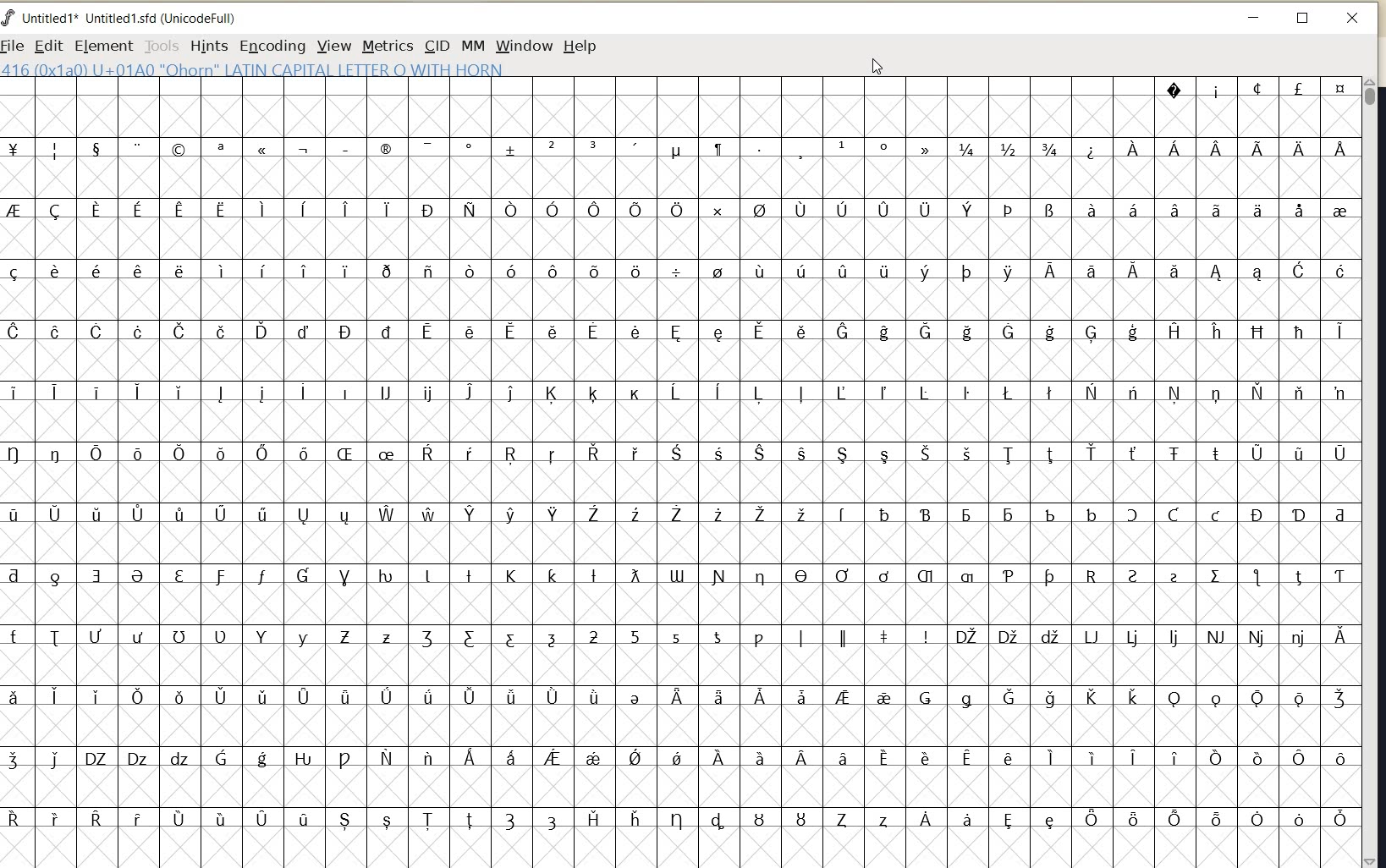  What do you see at coordinates (8, 20) in the screenshot?
I see `fontforge logo` at bounding box center [8, 20].